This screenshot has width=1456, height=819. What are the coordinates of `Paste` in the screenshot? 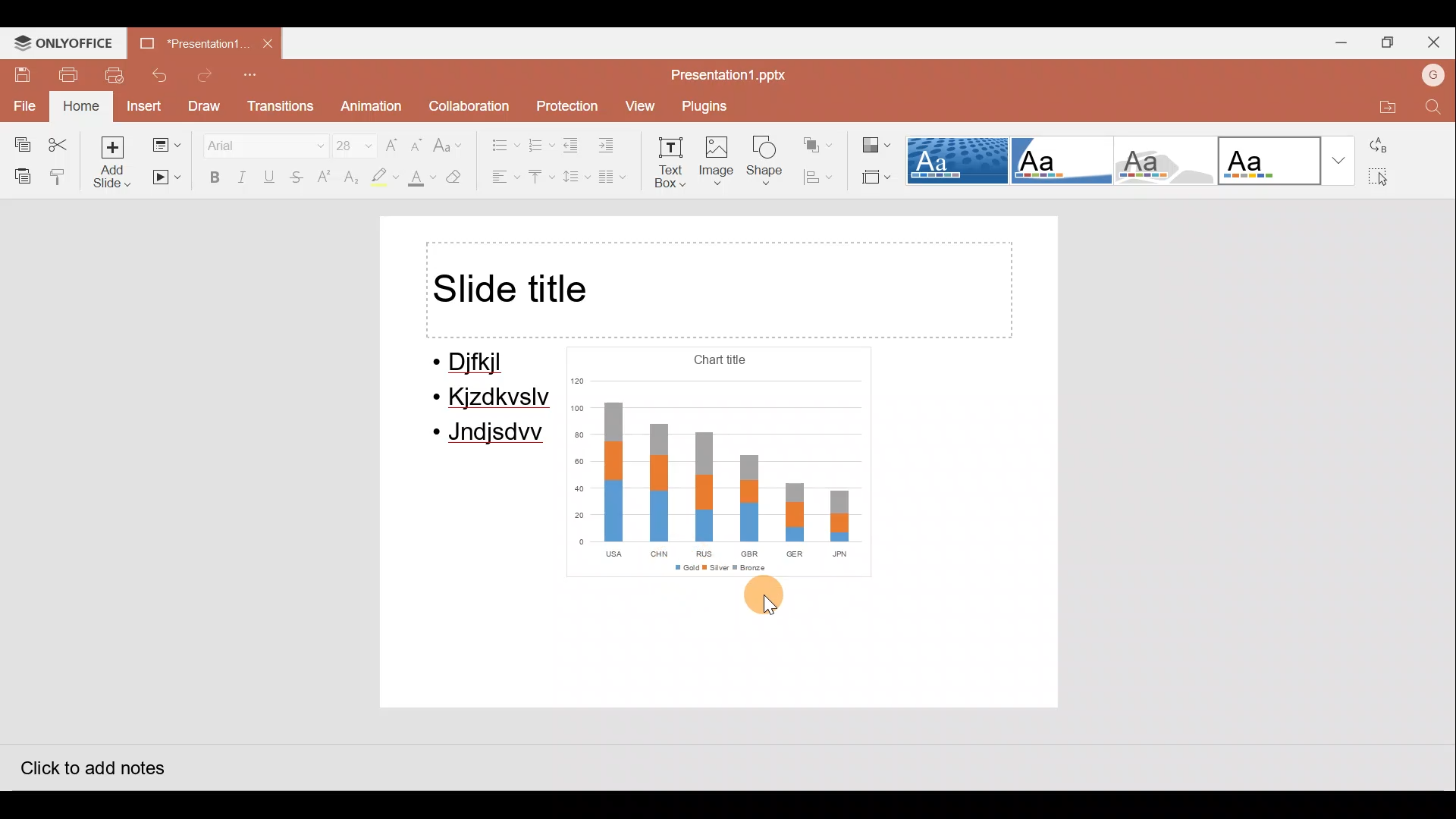 It's located at (19, 175).